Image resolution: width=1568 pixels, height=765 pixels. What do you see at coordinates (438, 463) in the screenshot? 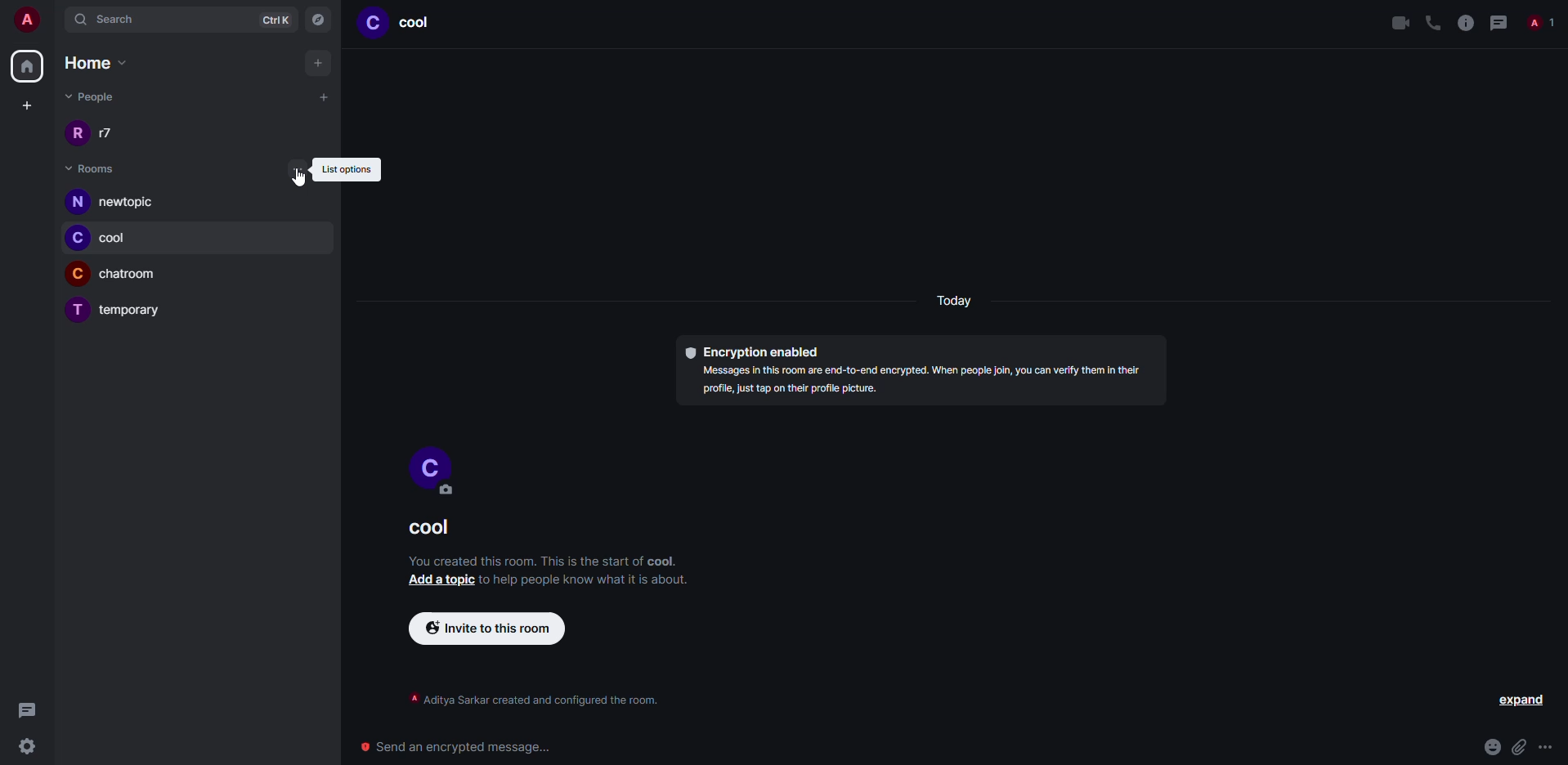
I see `profile` at bounding box center [438, 463].